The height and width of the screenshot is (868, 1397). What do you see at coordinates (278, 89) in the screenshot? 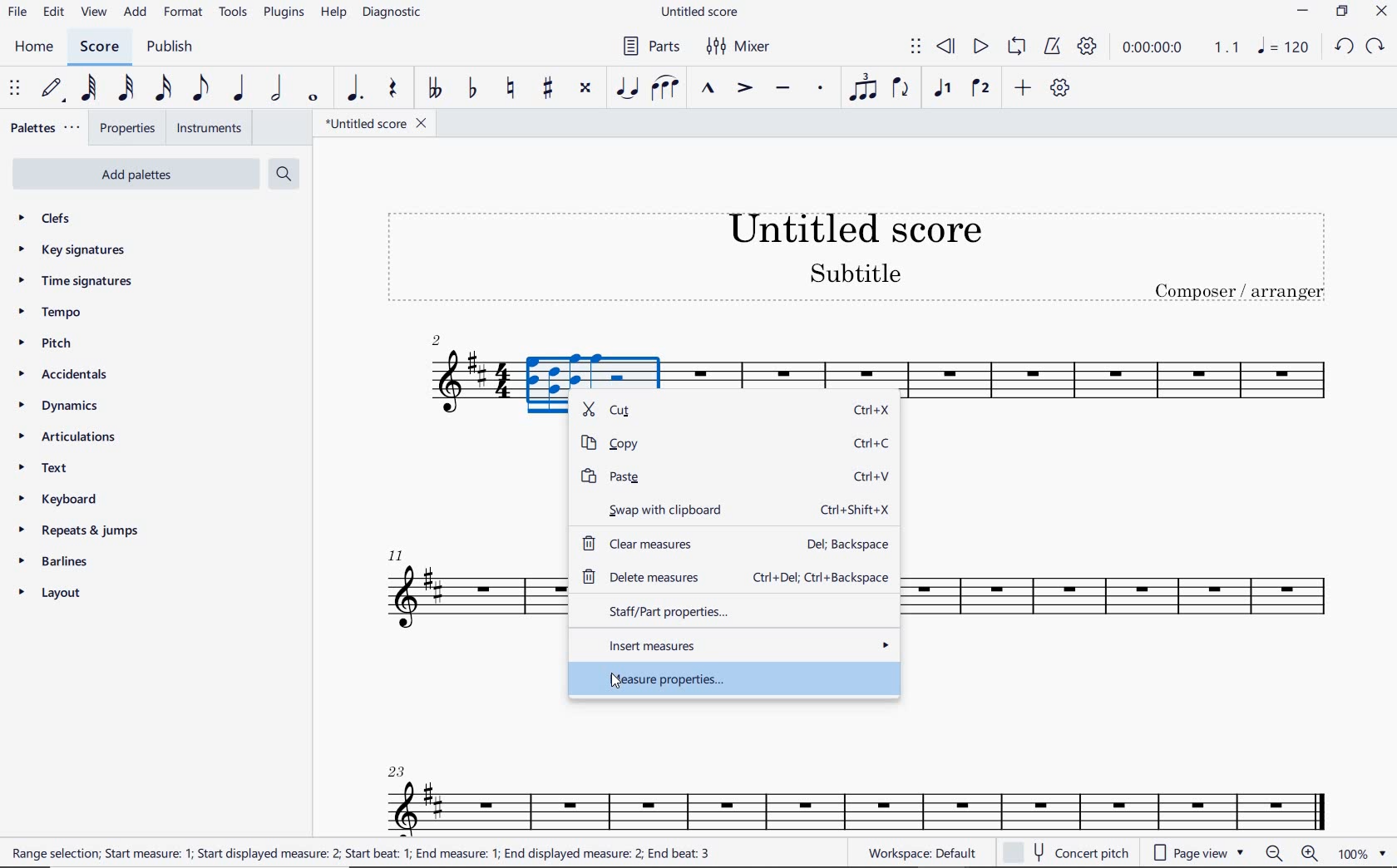
I see `HALF NOTE` at bounding box center [278, 89].